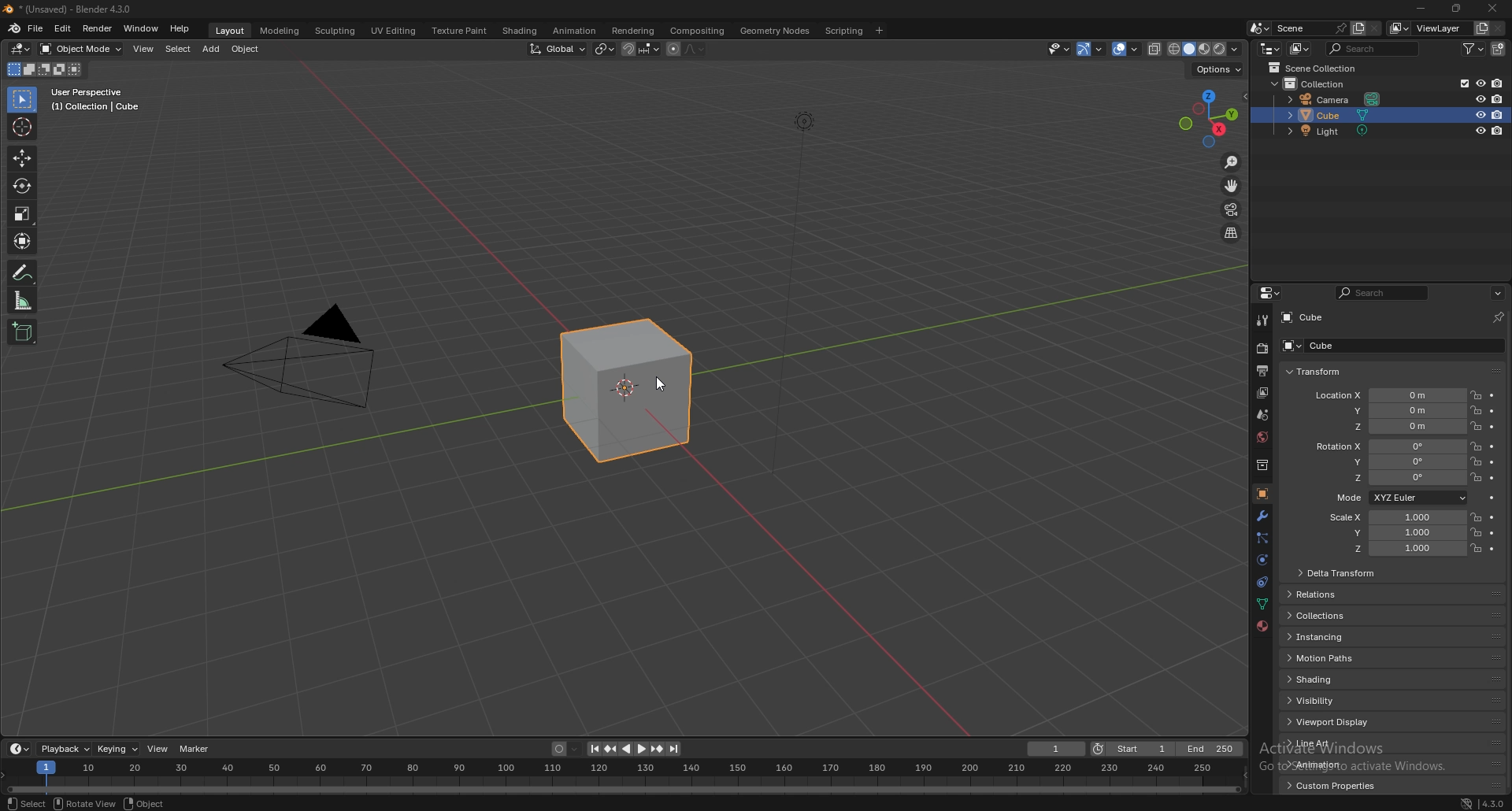 The width and height of the screenshot is (1512, 811). What do you see at coordinates (1214, 747) in the screenshot?
I see `end` at bounding box center [1214, 747].